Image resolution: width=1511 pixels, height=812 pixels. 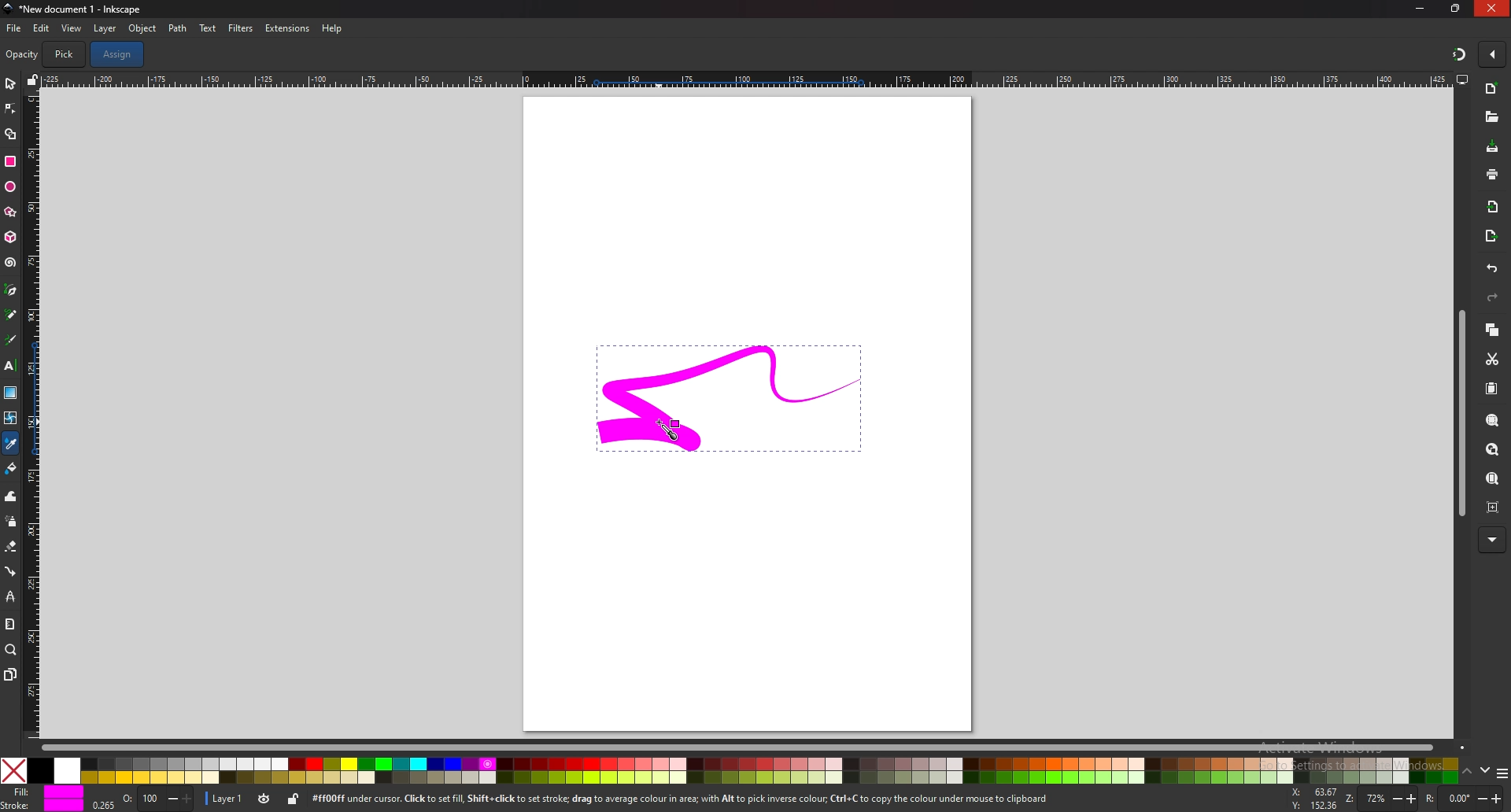 What do you see at coordinates (32, 79) in the screenshot?
I see `lock guide` at bounding box center [32, 79].